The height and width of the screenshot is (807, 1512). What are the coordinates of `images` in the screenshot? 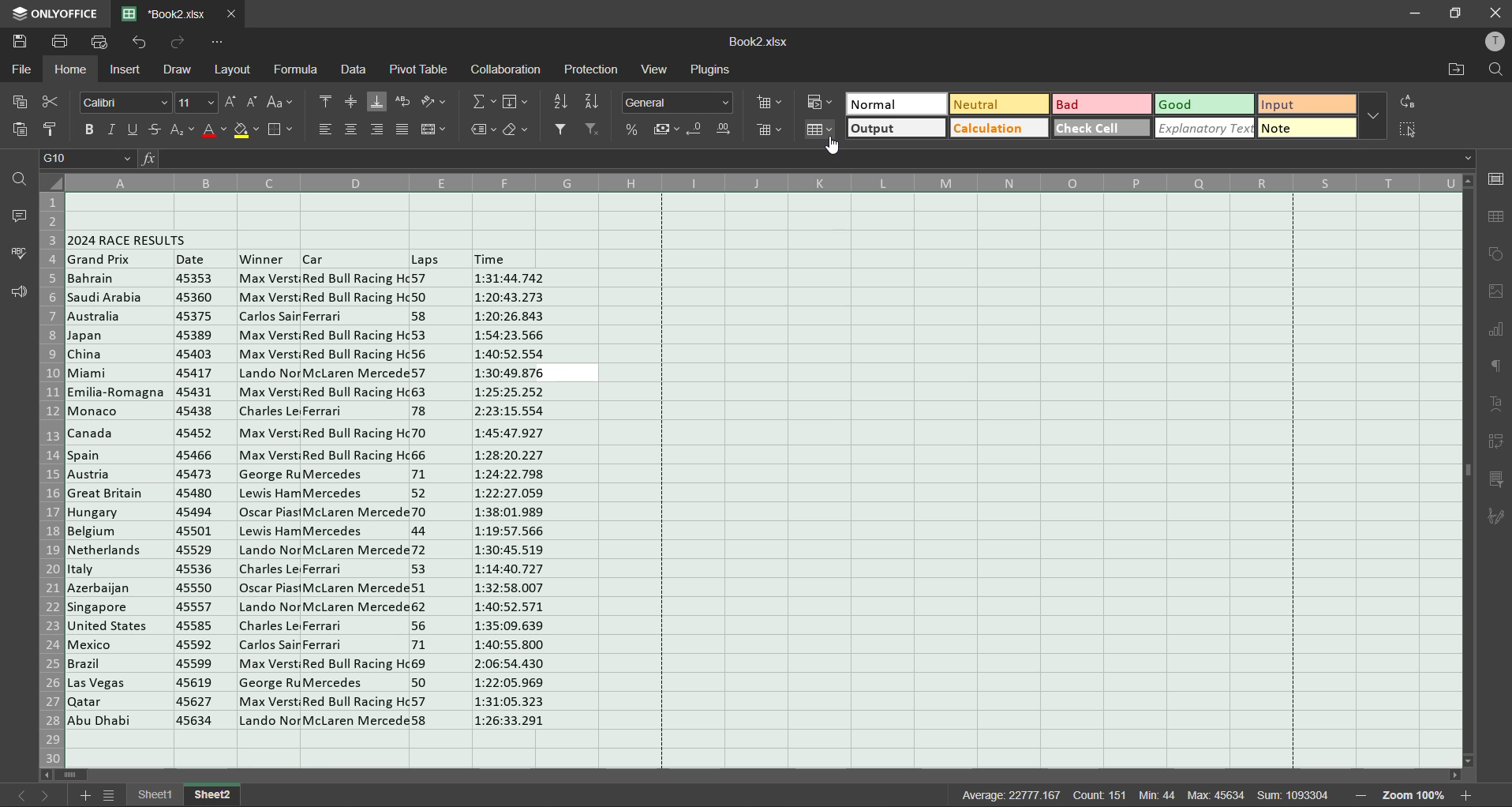 It's located at (1496, 293).